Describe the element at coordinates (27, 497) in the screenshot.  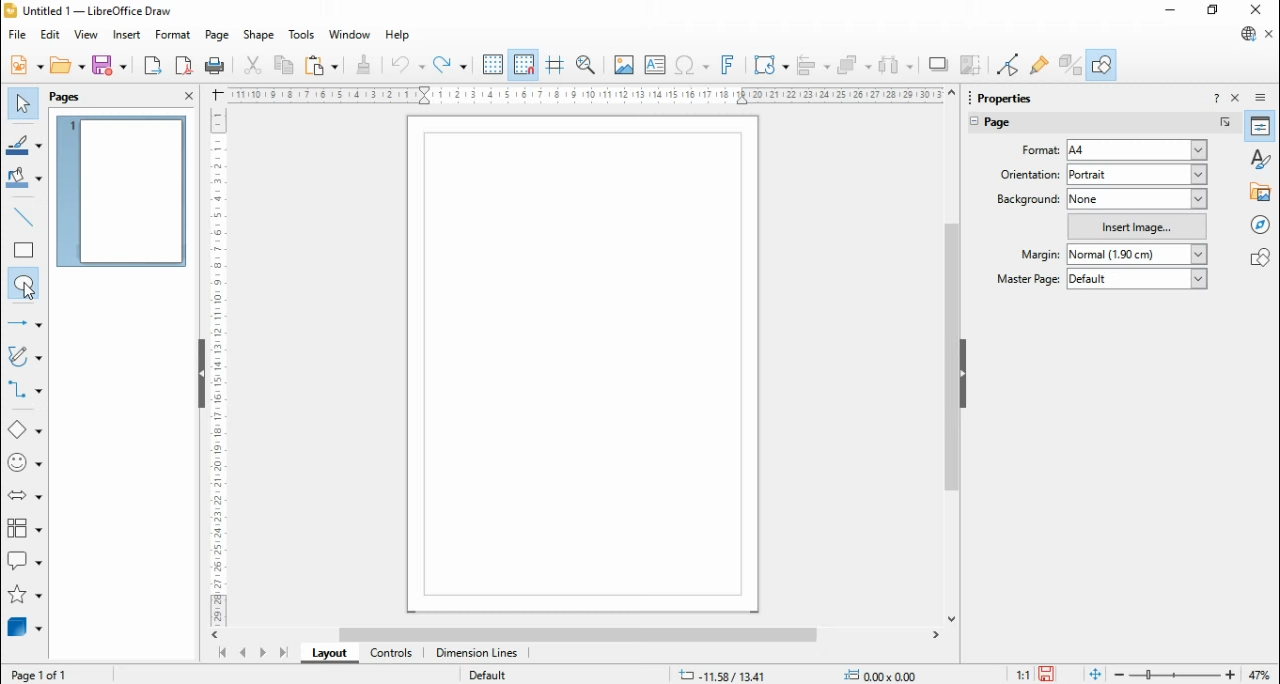
I see `block arrows` at that location.